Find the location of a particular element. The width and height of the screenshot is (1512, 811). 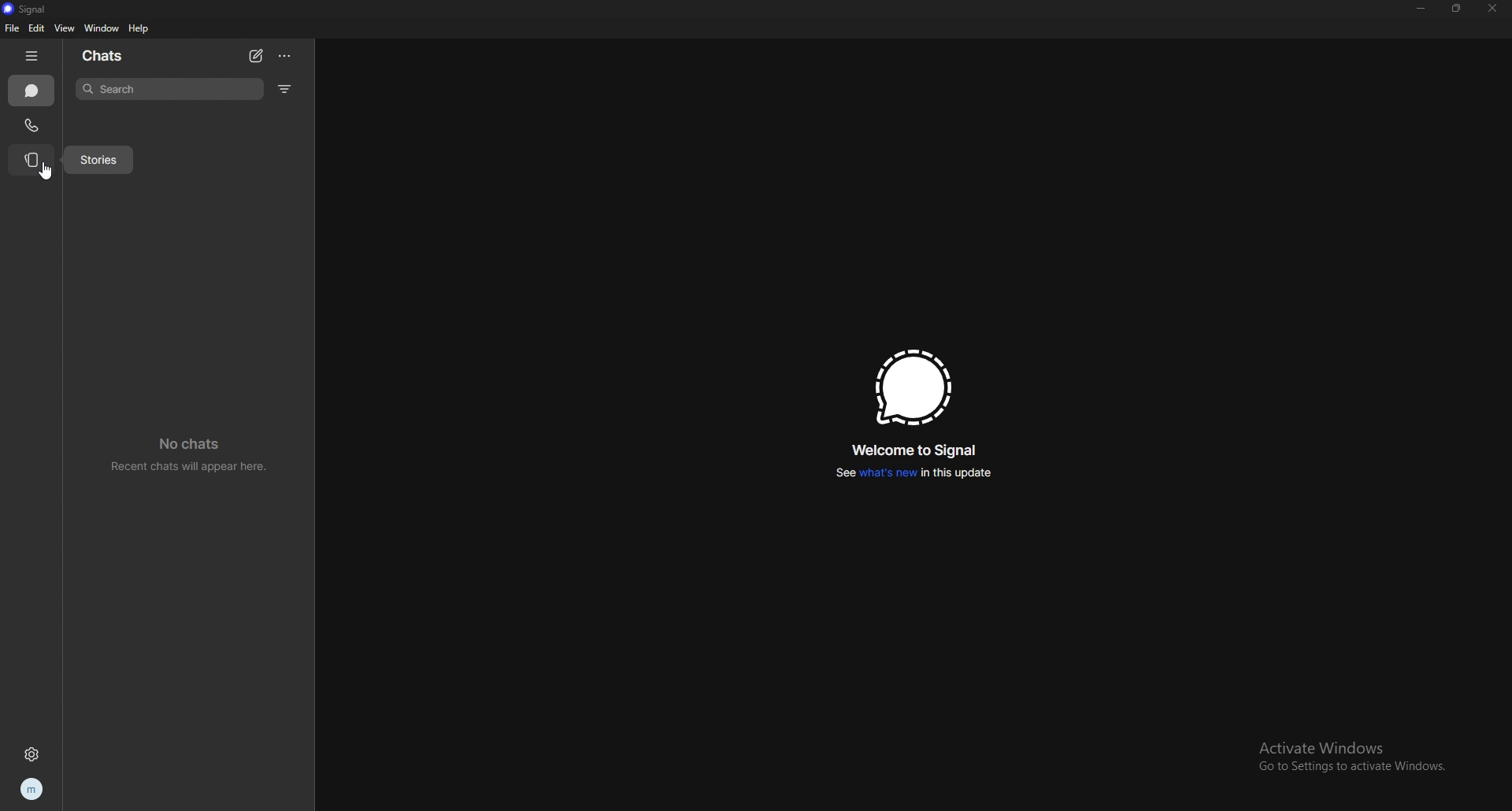

filter is located at coordinates (285, 90).